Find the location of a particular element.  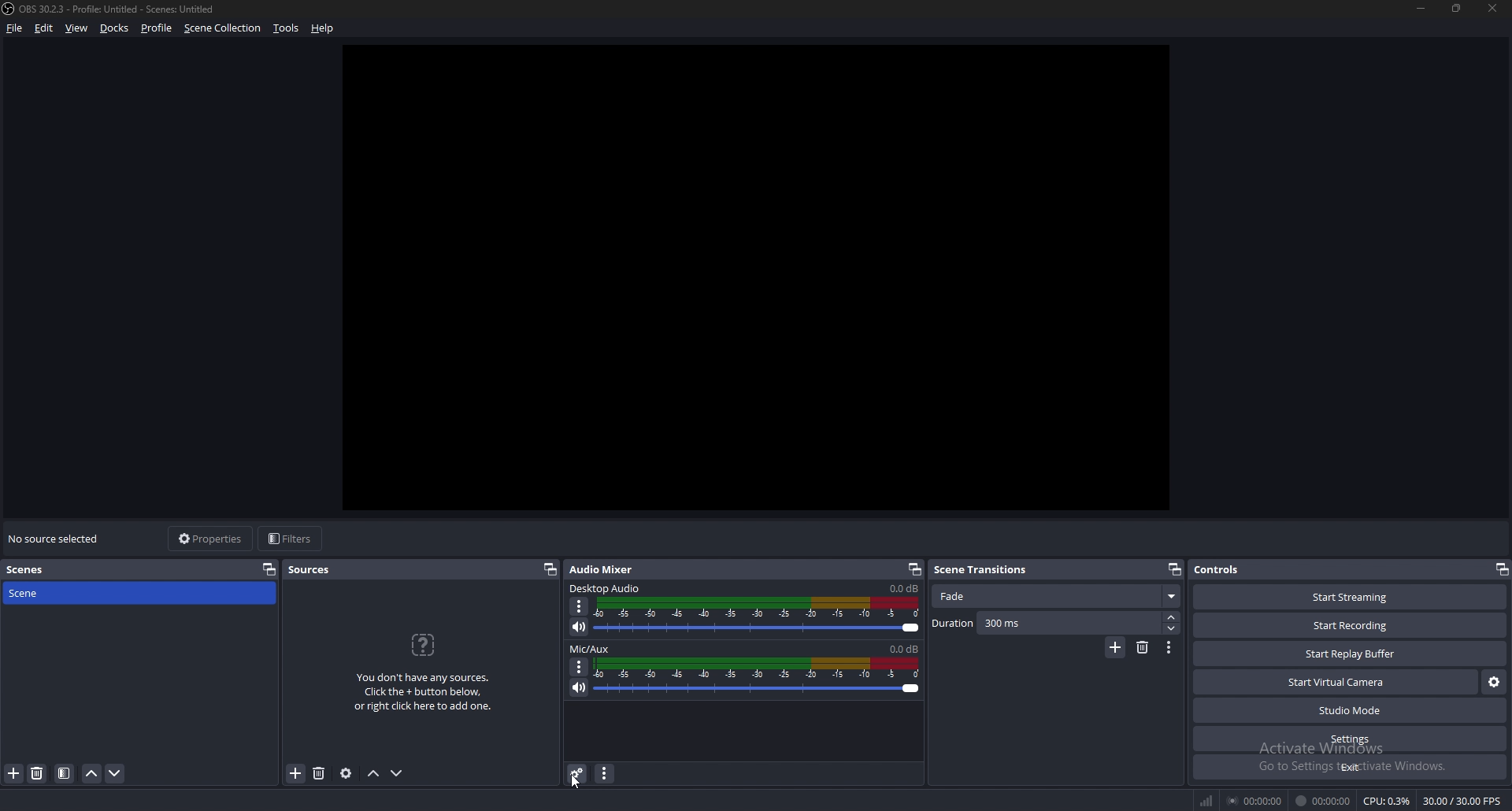

edit is located at coordinates (46, 28).